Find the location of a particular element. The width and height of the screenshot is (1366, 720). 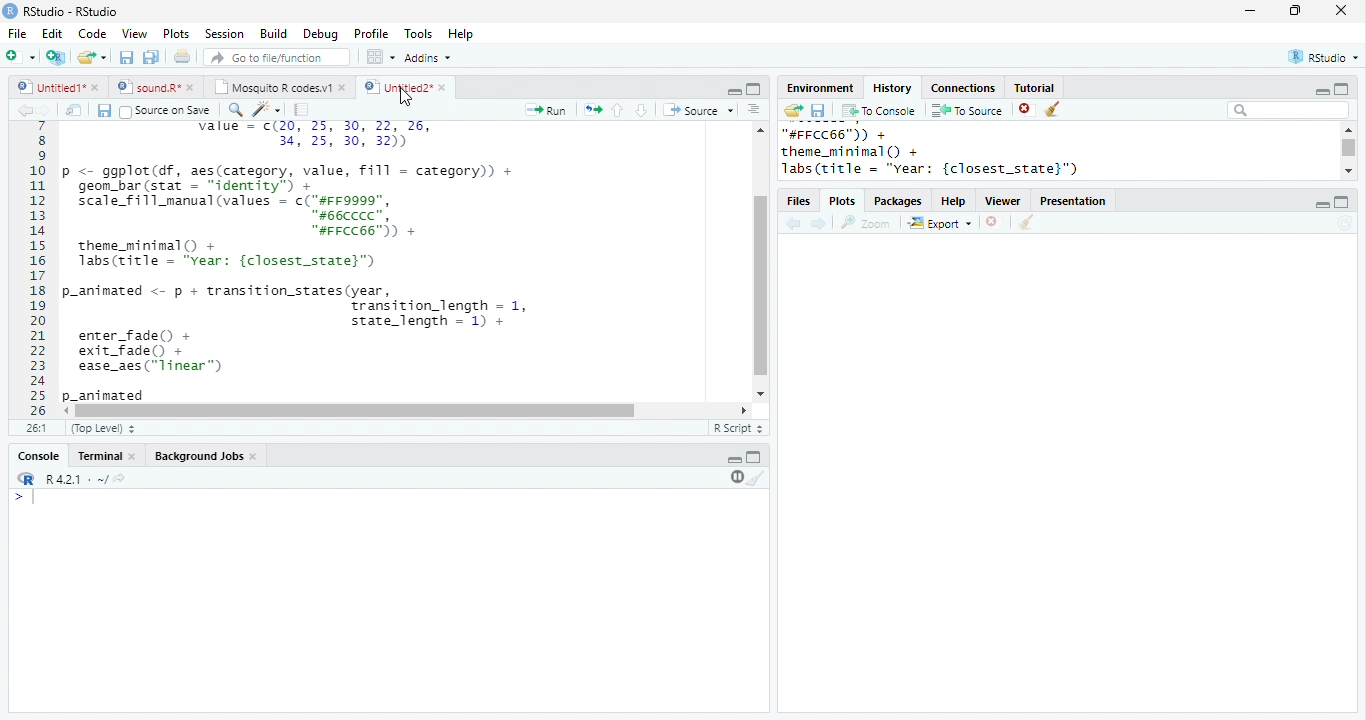

Export is located at coordinates (939, 222).